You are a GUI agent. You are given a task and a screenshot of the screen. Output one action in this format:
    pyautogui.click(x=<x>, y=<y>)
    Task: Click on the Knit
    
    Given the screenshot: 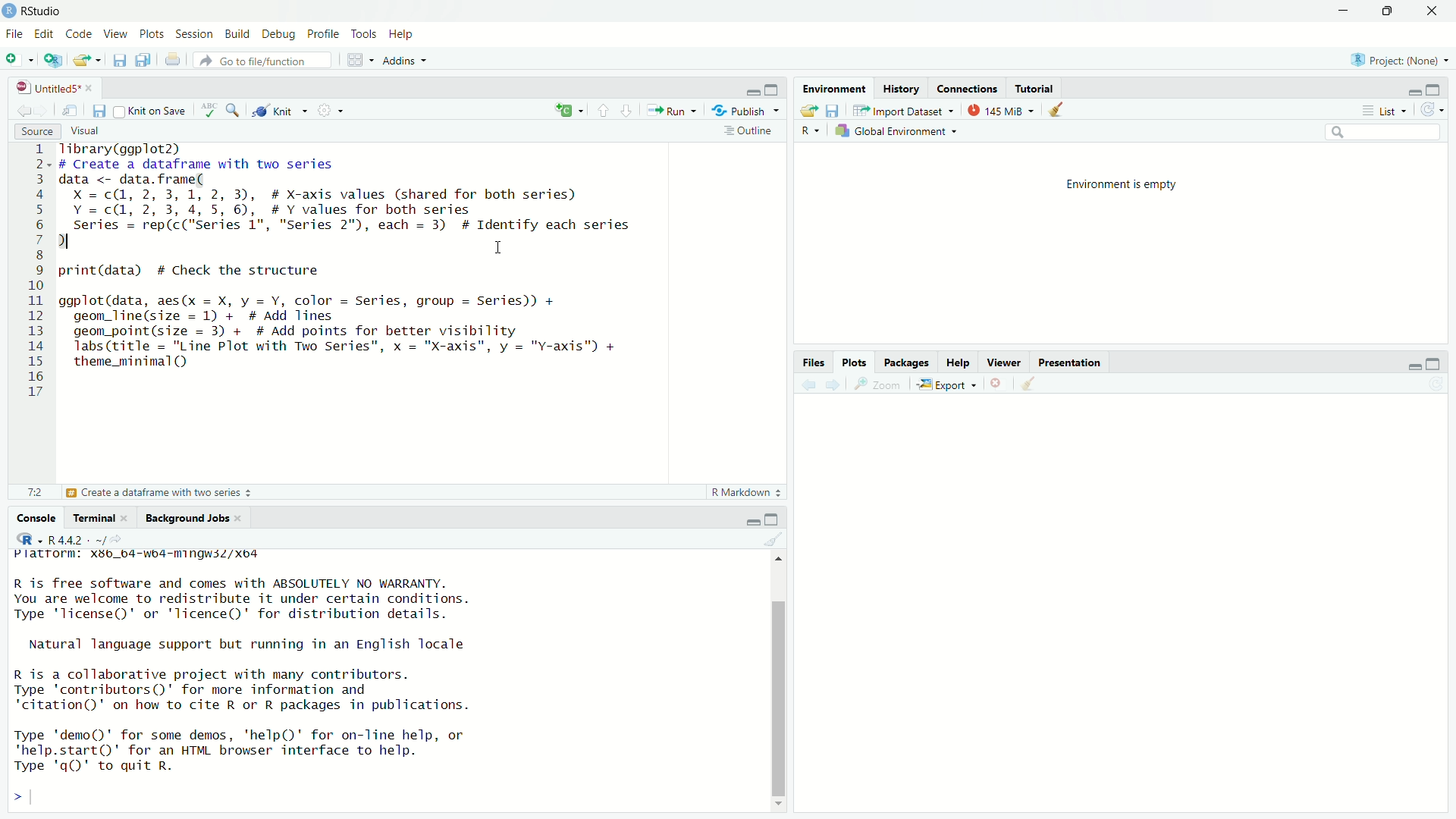 What is the action you would take?
    pyautogui.click(x=281, y=111)
    